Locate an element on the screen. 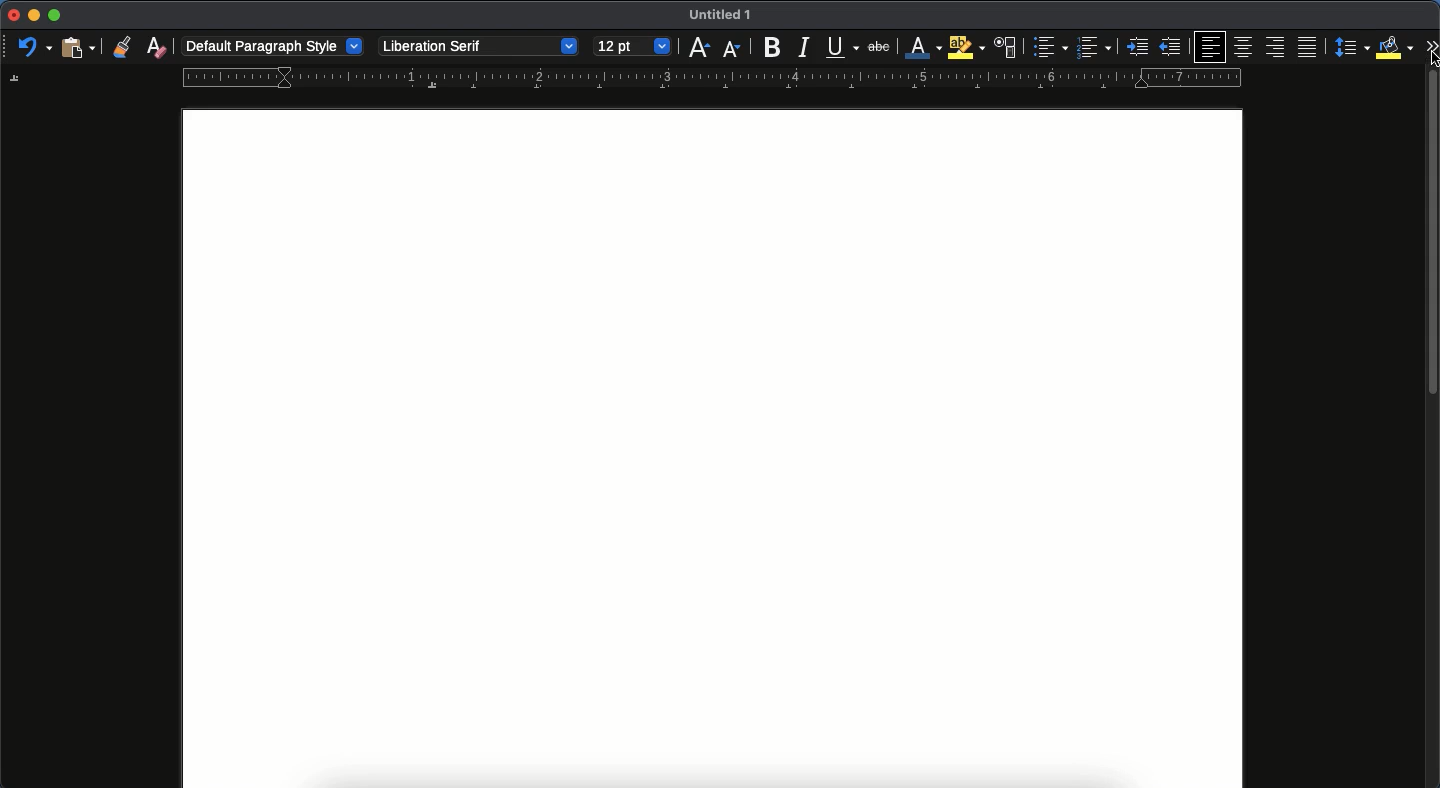 The image size is (1440, 788). right align is located at coordinates (1277, 48).